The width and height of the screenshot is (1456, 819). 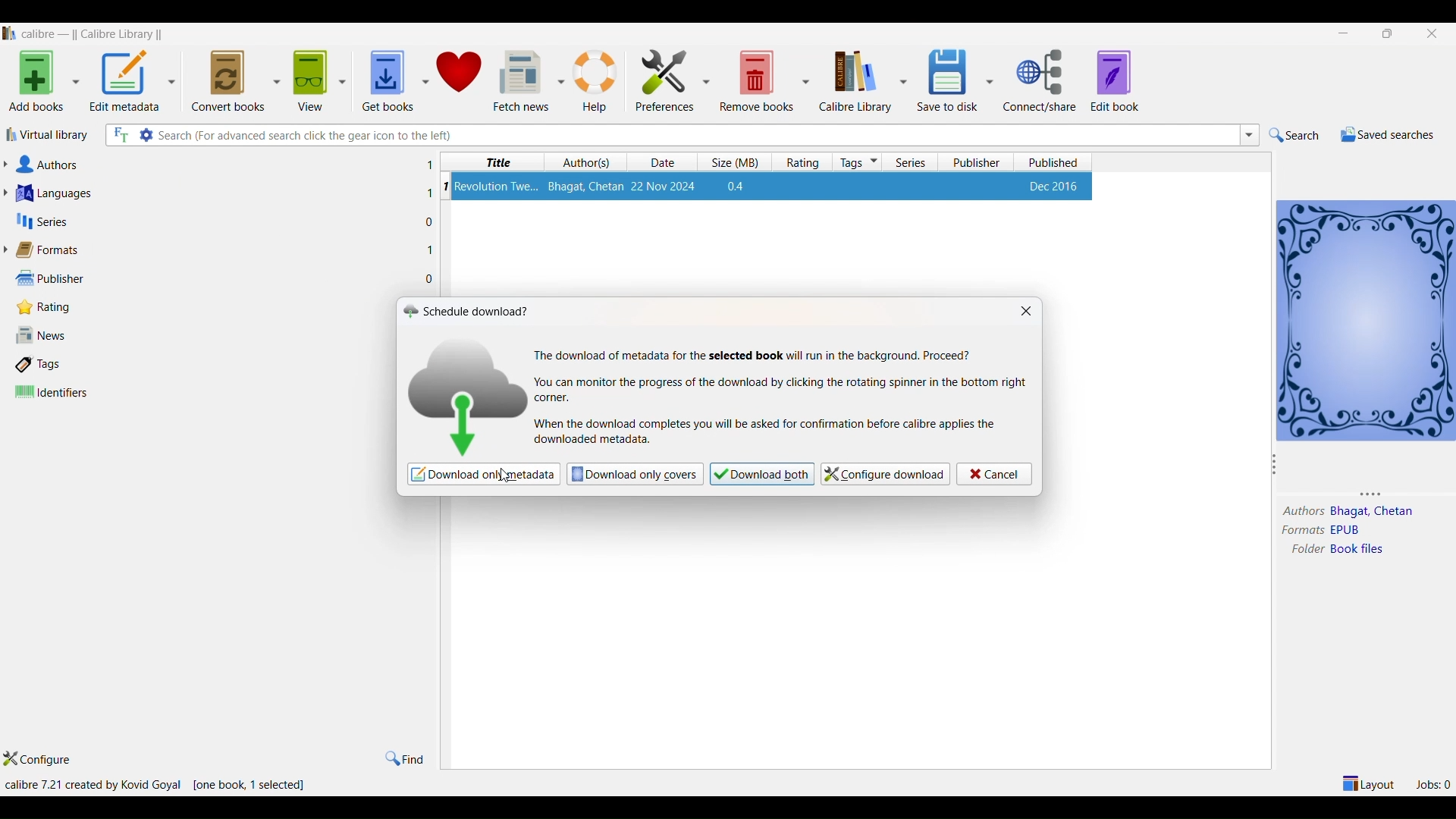 I want to click on download both, so click(x=762, y=474).